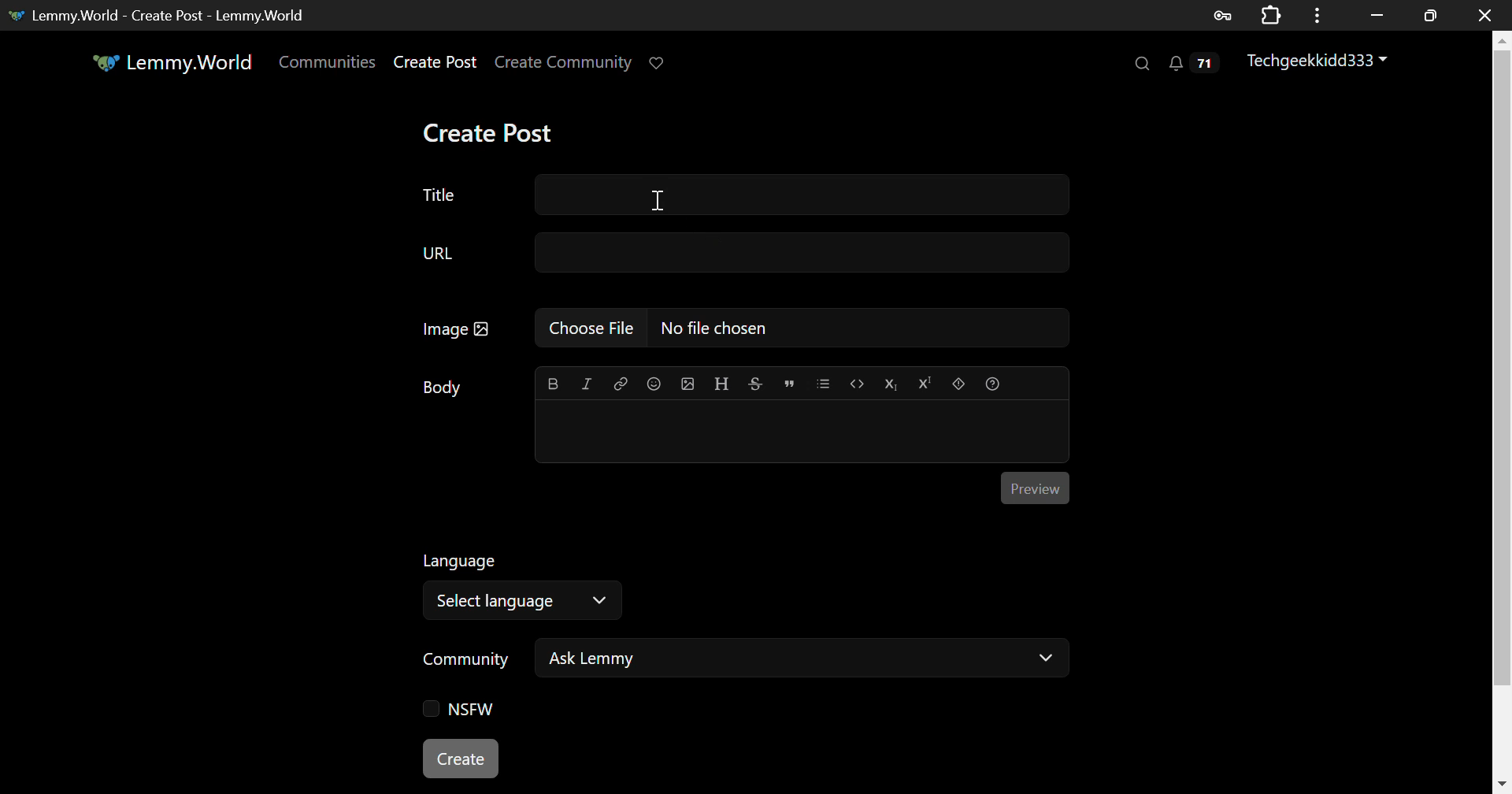  I want to click on Close Window, so click(1485, 13).